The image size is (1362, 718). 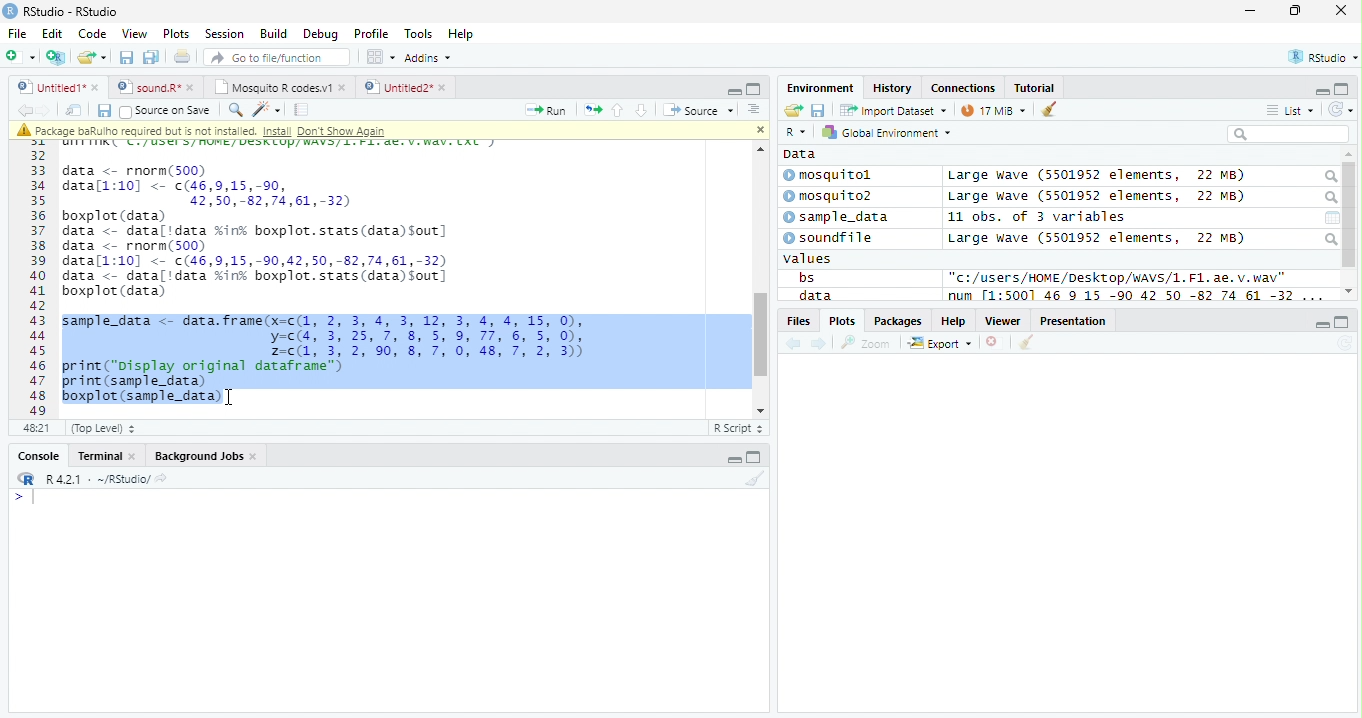 I want to click on History, so click(x=892, y=88).